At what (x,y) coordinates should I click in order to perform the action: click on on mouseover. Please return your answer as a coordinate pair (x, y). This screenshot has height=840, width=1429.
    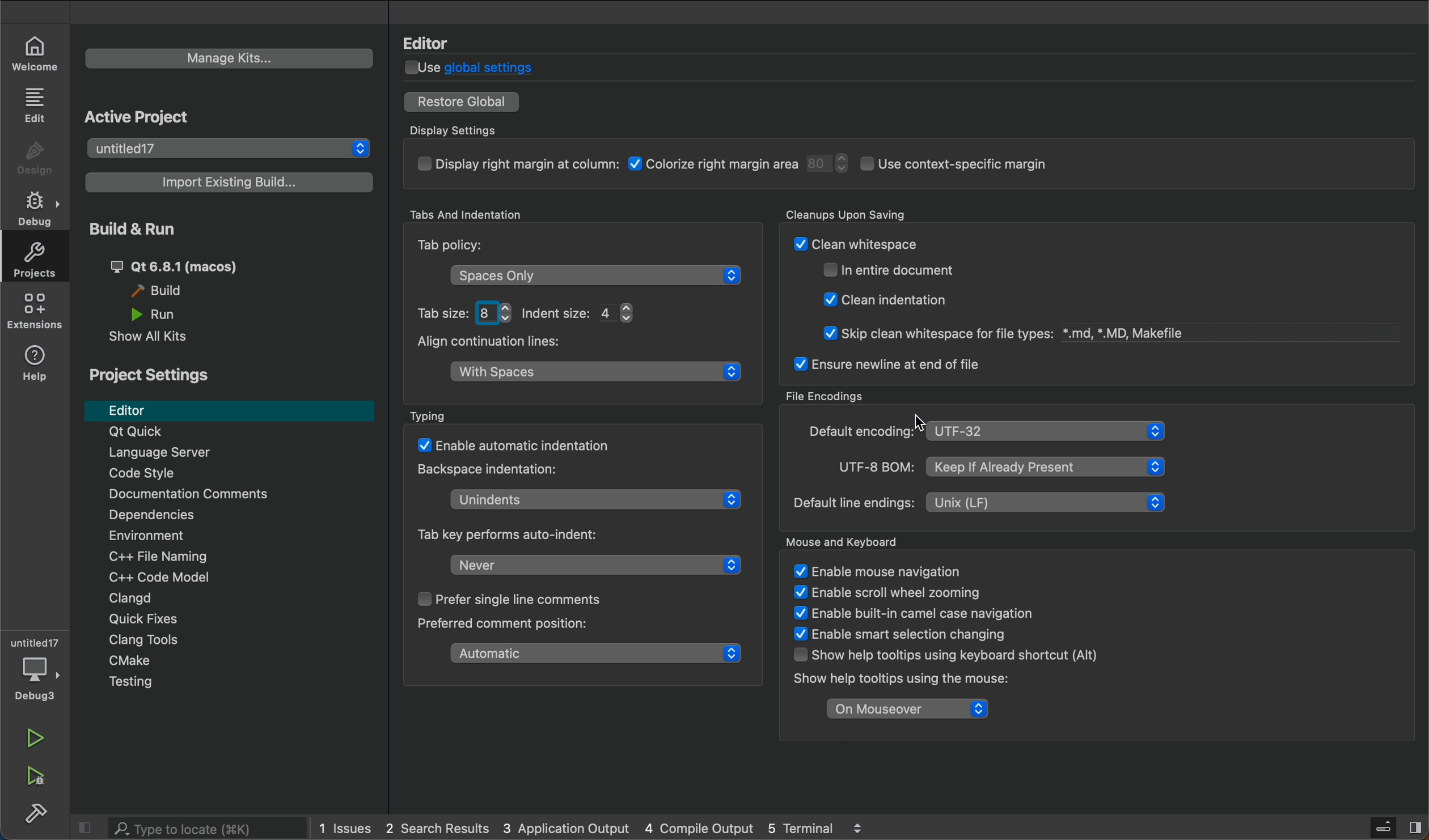
    Looking at the image, I should click on (911, 708).